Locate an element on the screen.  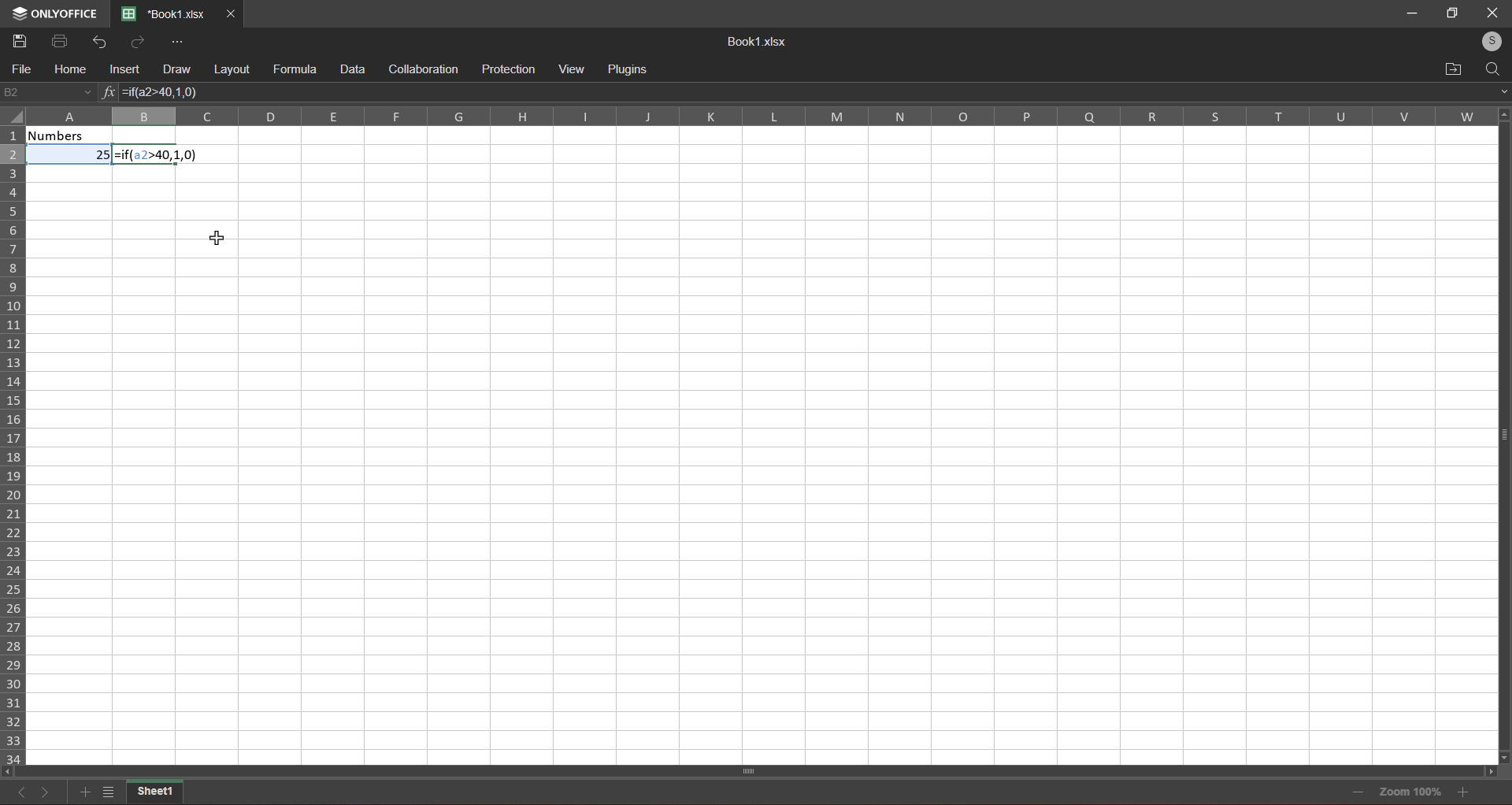
zoom 100% is located at coordinates (1413, 793).